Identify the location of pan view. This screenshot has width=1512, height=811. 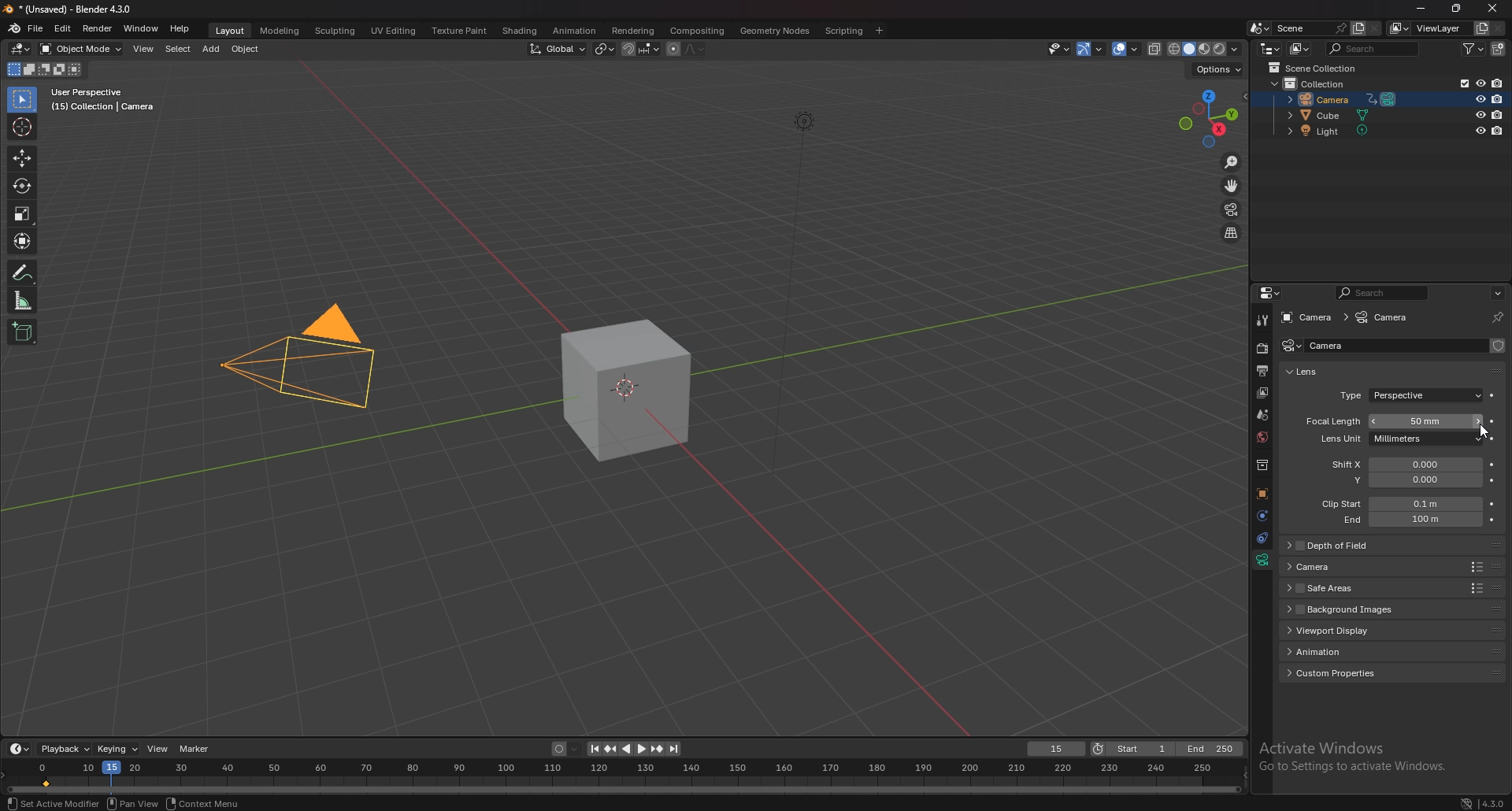
(133, 803).